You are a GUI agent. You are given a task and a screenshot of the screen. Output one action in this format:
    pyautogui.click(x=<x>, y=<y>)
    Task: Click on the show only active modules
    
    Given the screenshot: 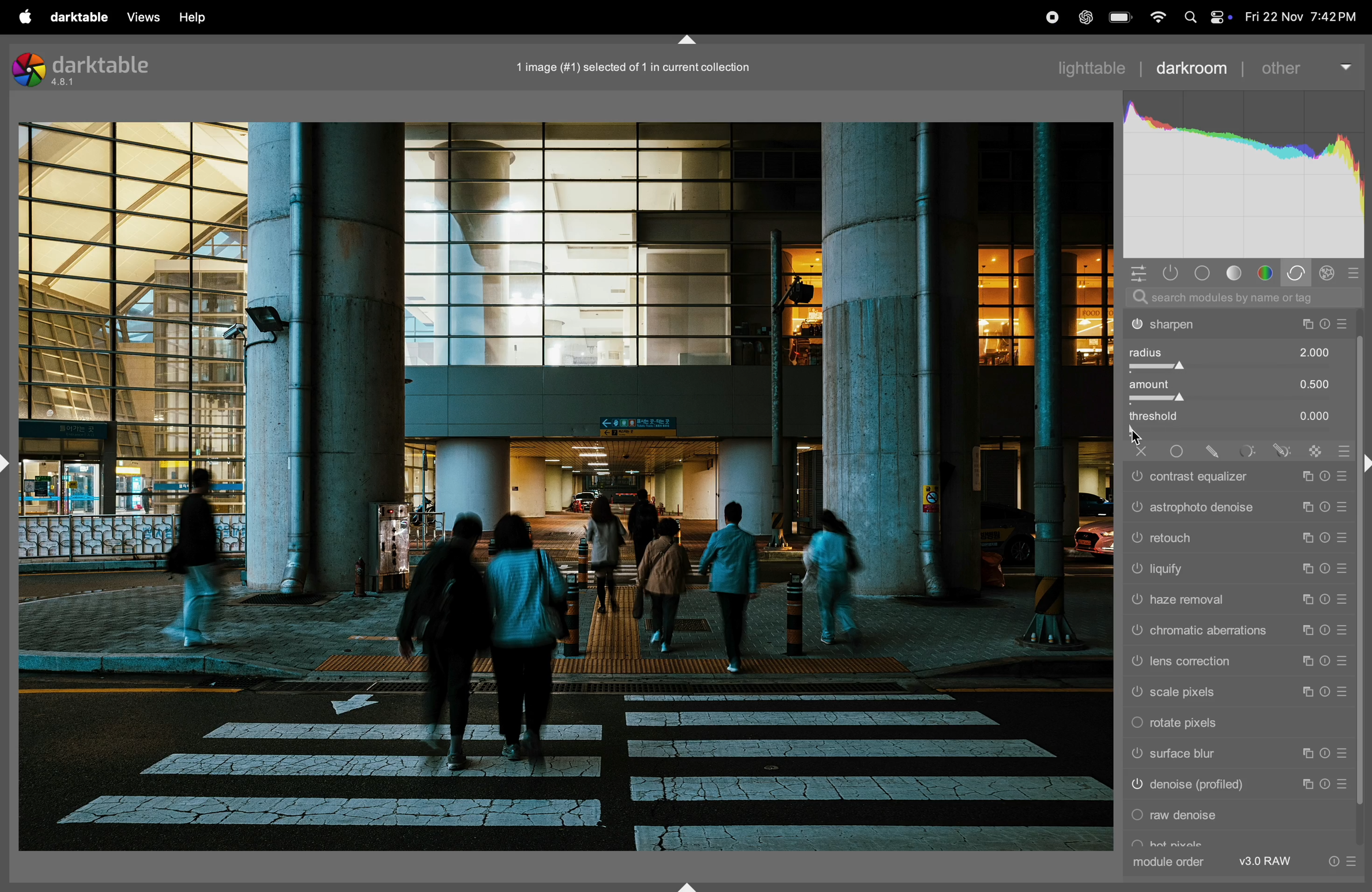 What is the action you would take?
    pyautogui.click(x=1171, y=273)
    